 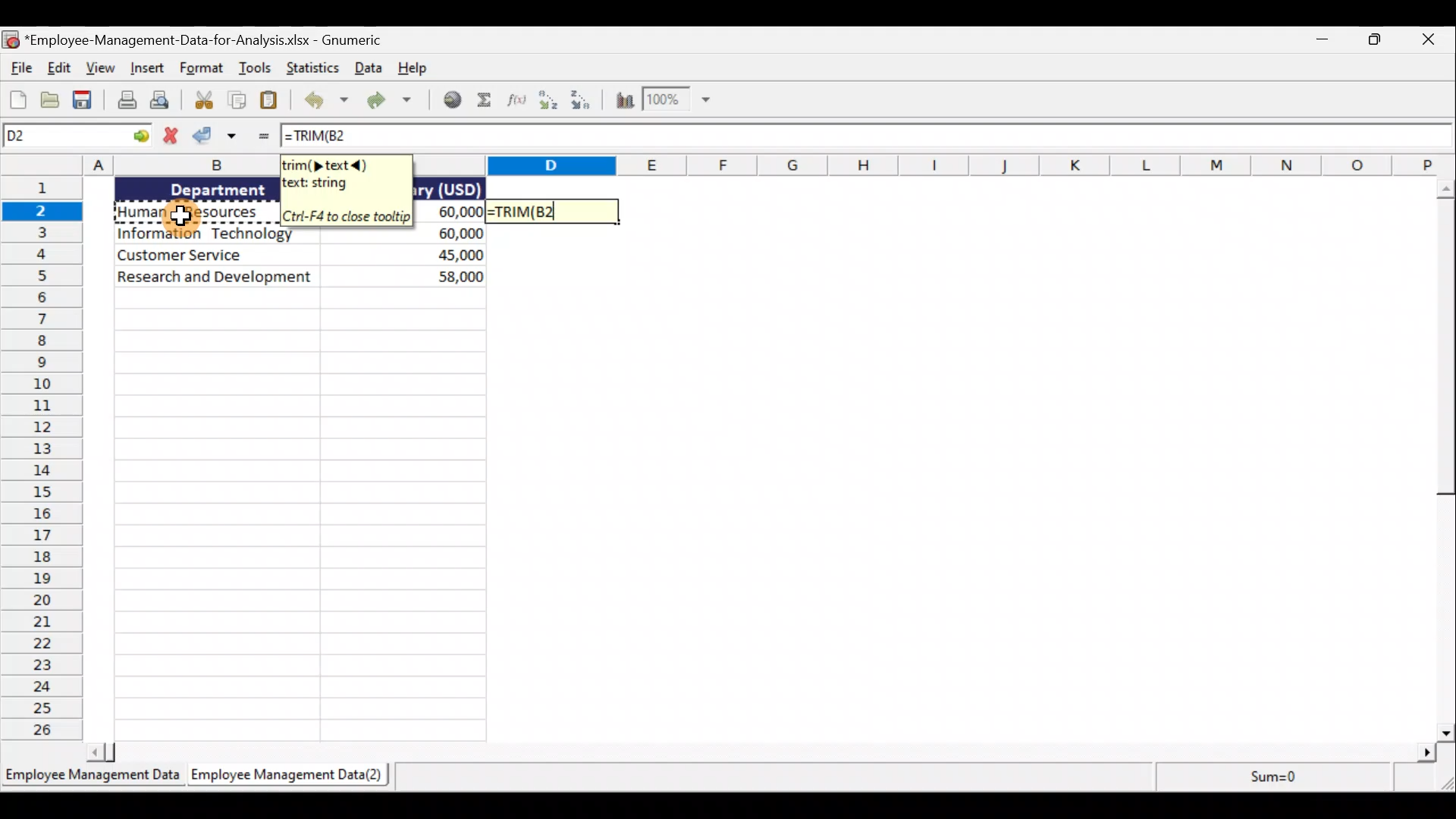 What do you see at coordinates (123, 102) in the screenshot?
I see `Print the current file` at bounding box center [123, 102].